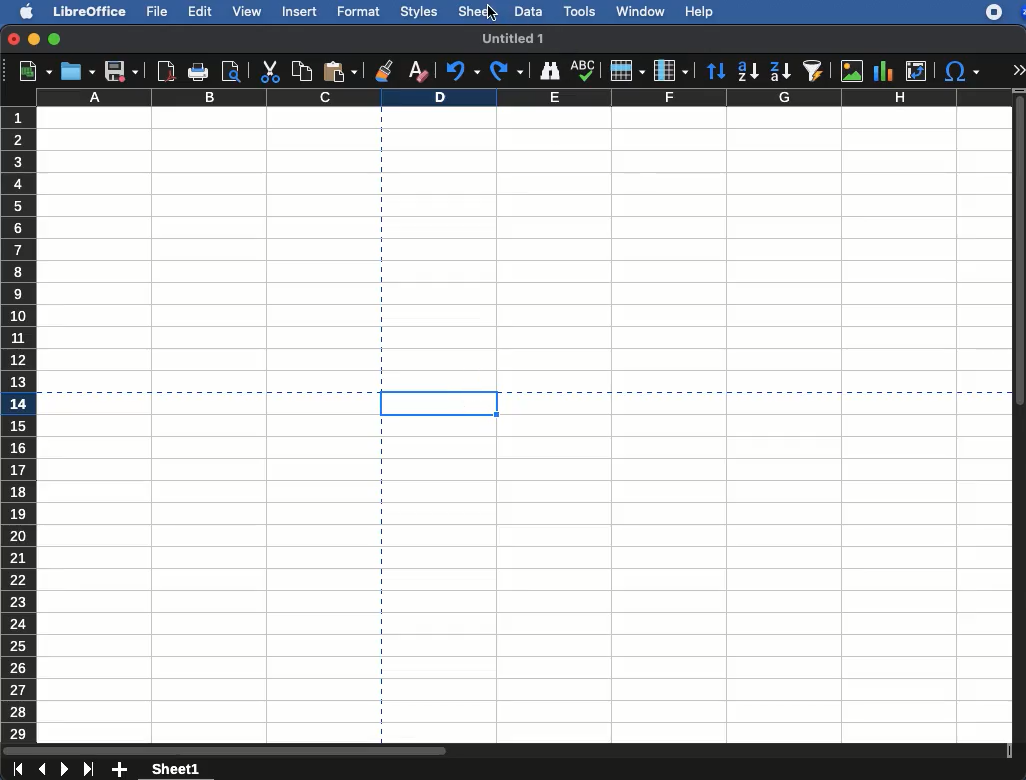 This screenshot has height=780, width=1026. I want to click on print, so click(199, 73).